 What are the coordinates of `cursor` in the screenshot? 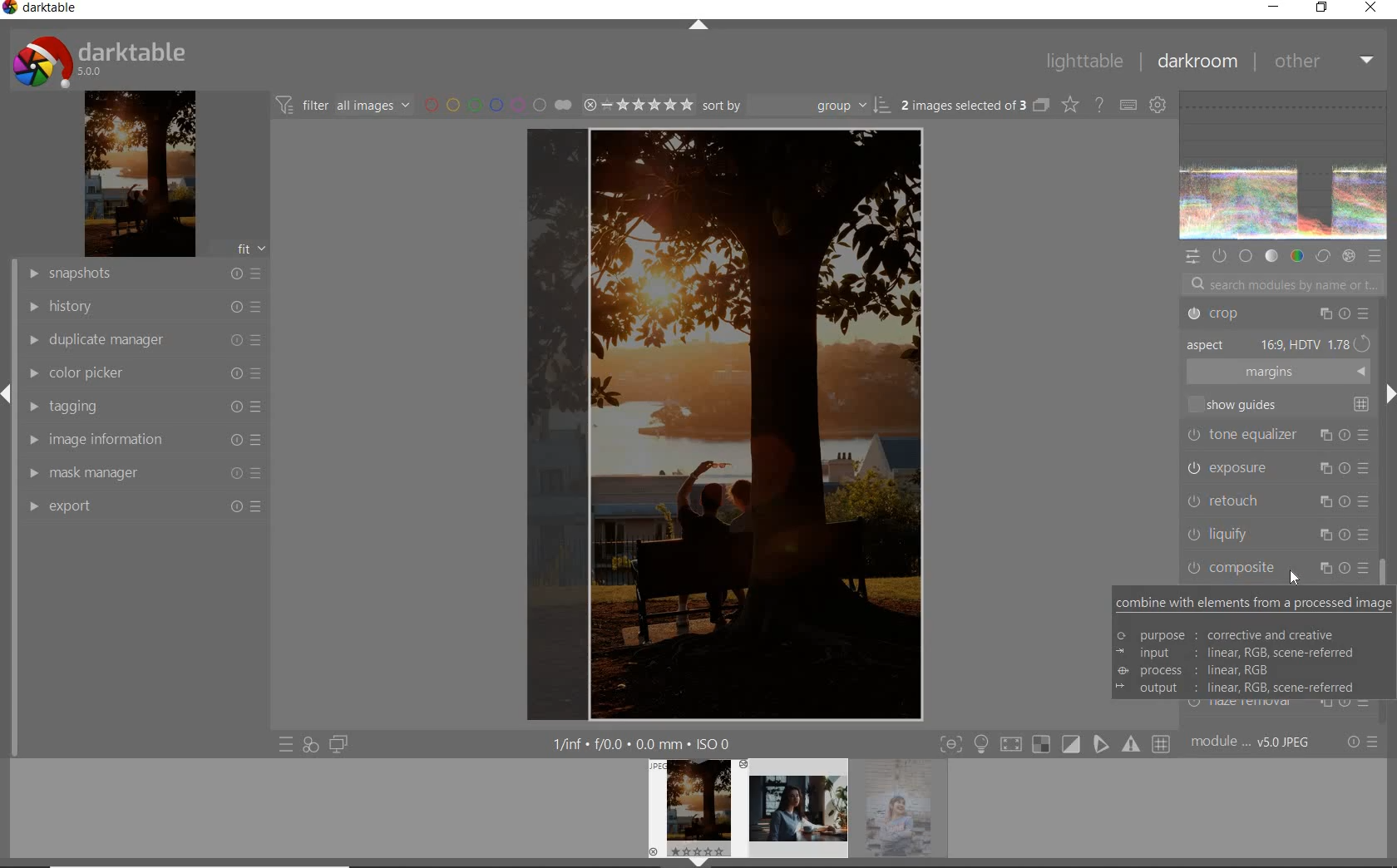 It's located at (1294, 577).